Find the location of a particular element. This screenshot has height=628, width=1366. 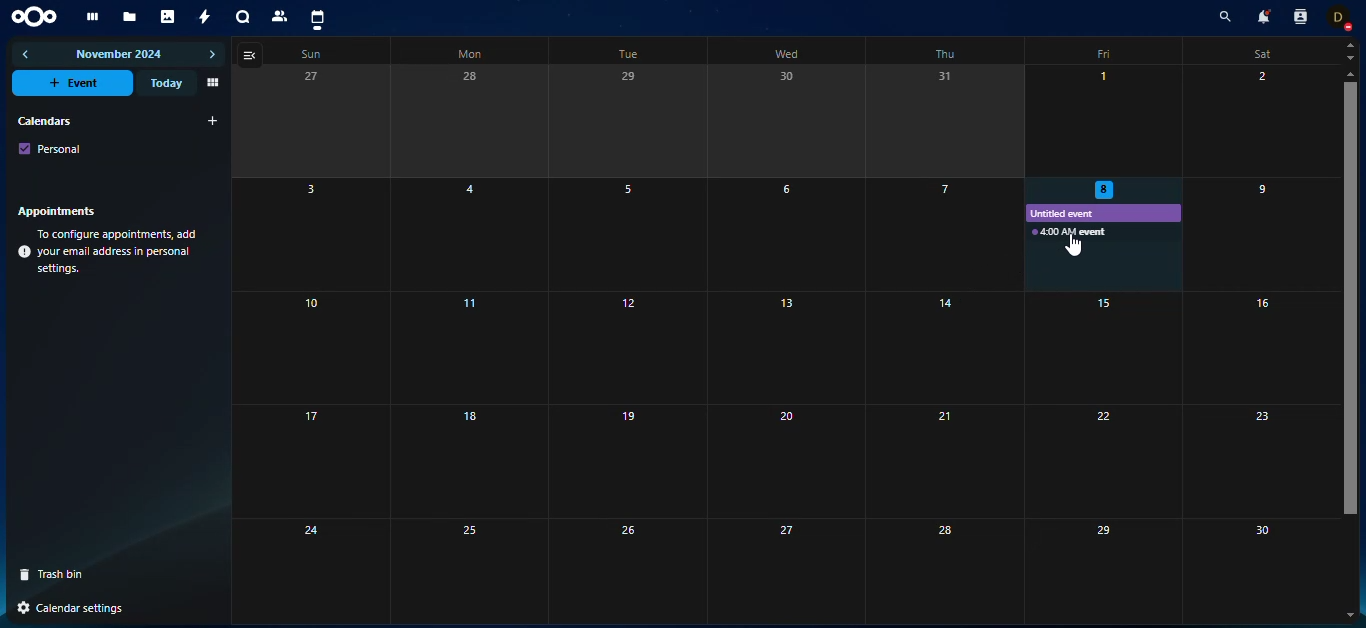

previous is located at coordinates (27, 54).